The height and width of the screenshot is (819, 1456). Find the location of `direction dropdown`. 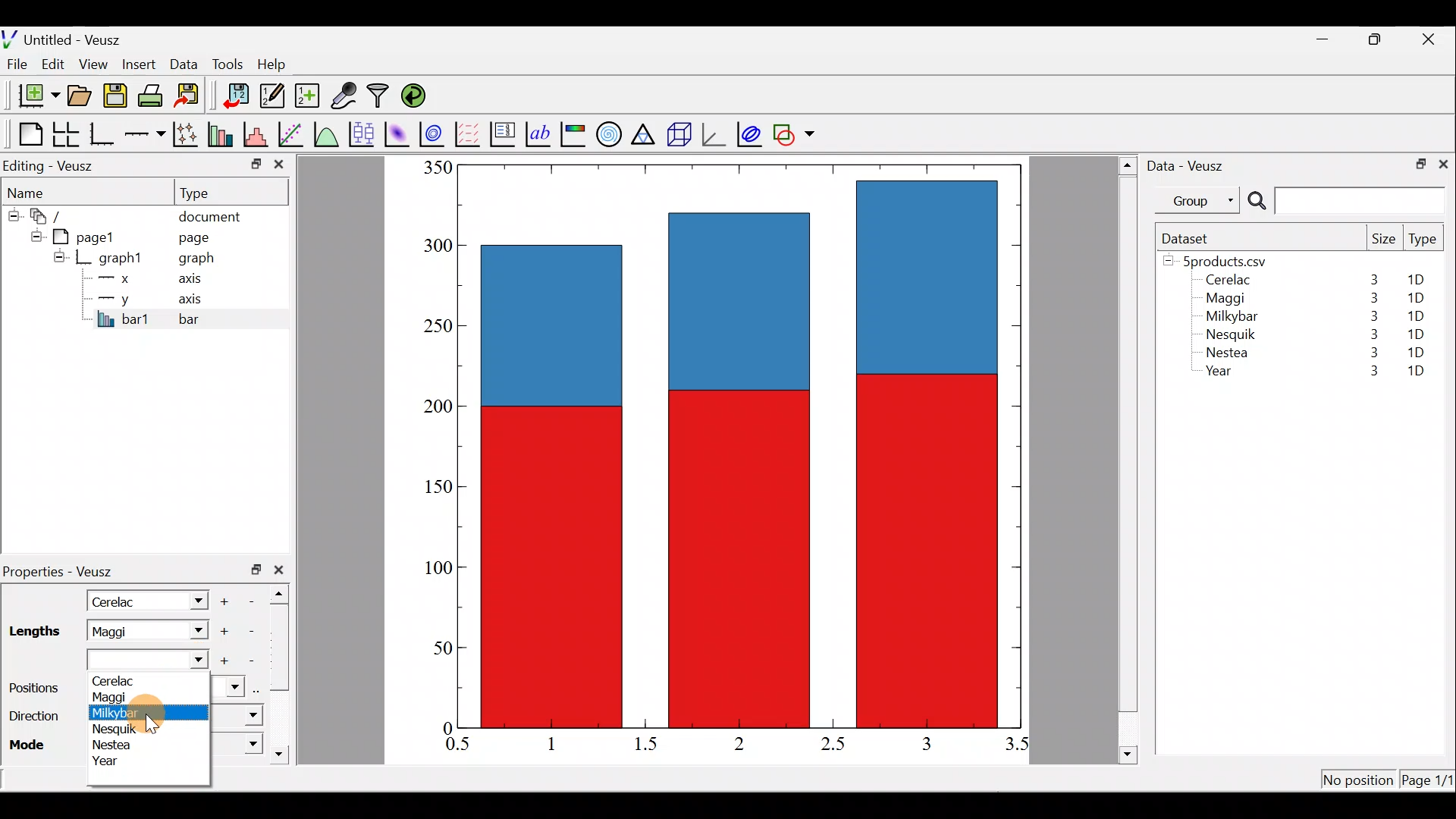

direction dropdown is located at coordinates (237, 717).